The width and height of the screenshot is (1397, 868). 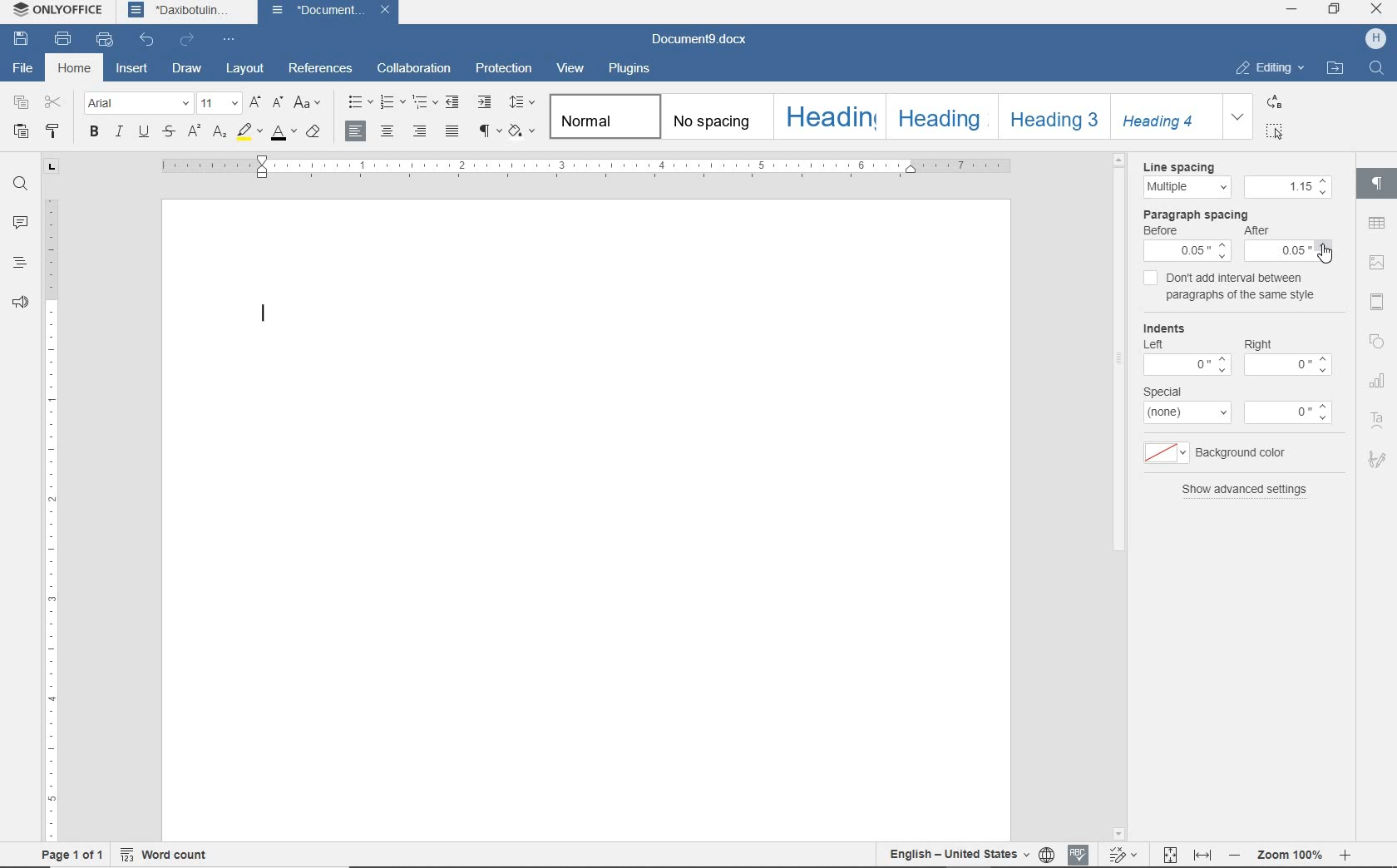 I want to click on no spacing, so click(x=715, y=118).